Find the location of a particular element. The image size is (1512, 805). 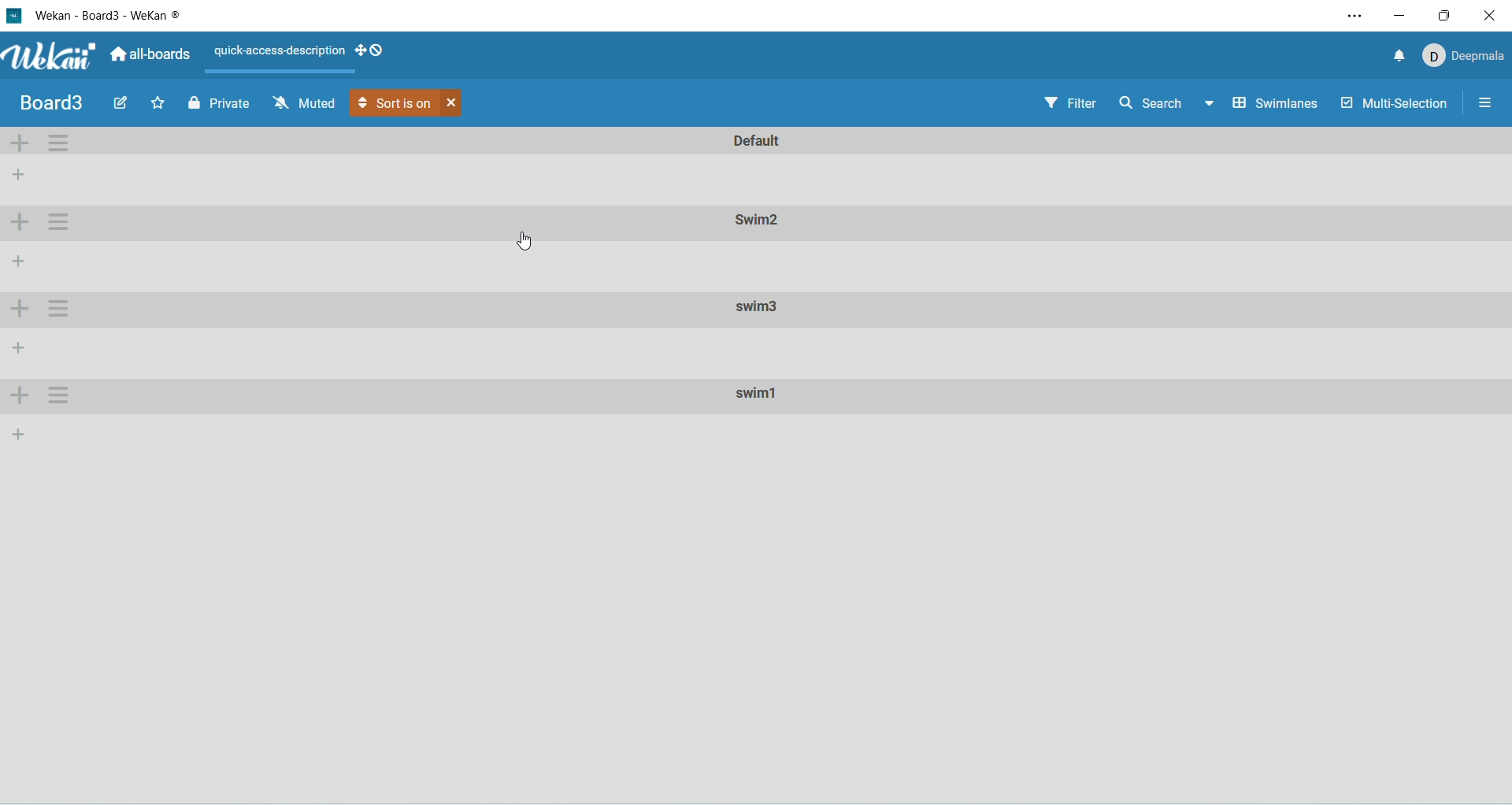

maximize is located at coordinates (1447, 14).